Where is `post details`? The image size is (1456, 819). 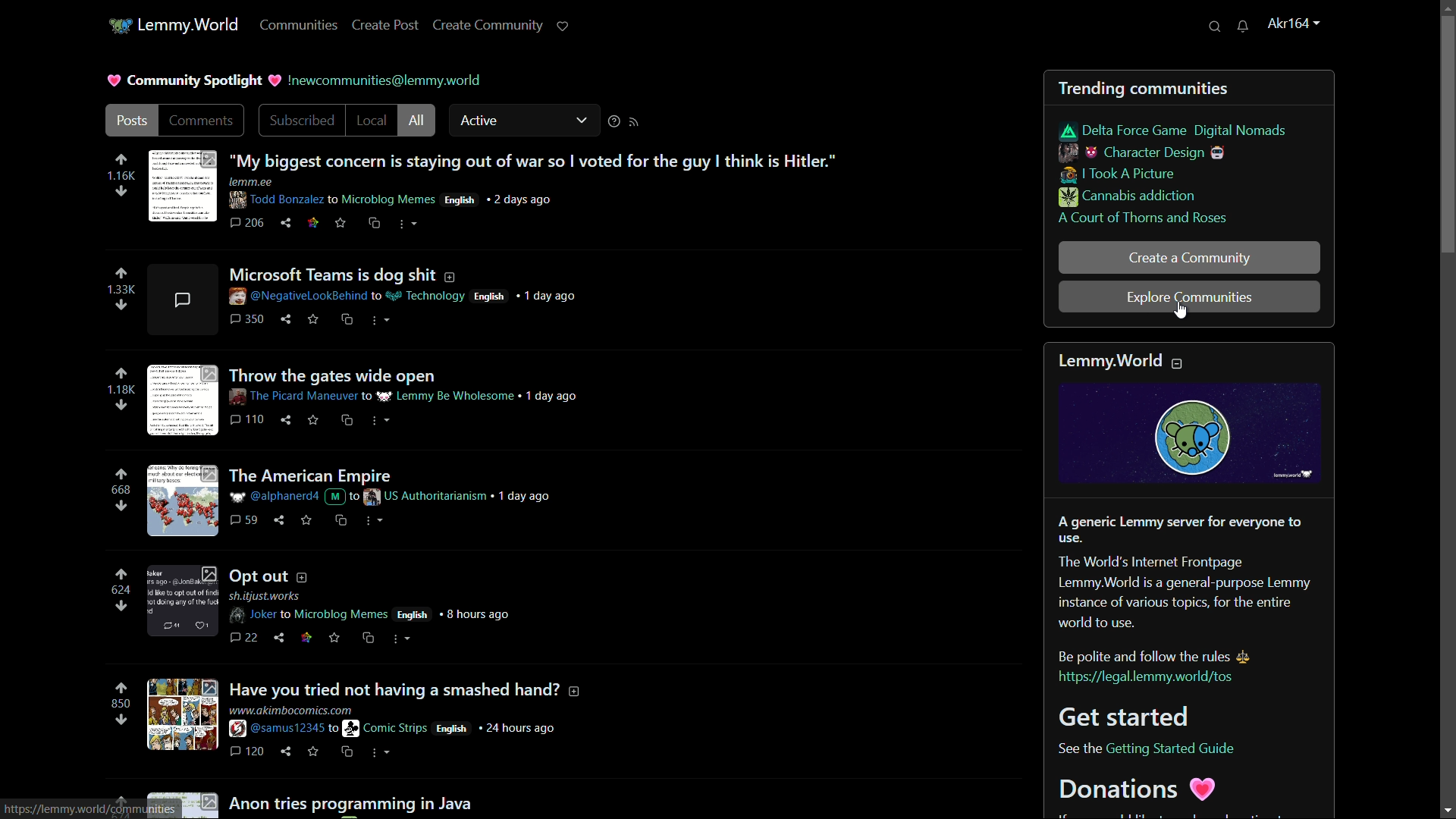 post details is located at coordinates (417, 193).